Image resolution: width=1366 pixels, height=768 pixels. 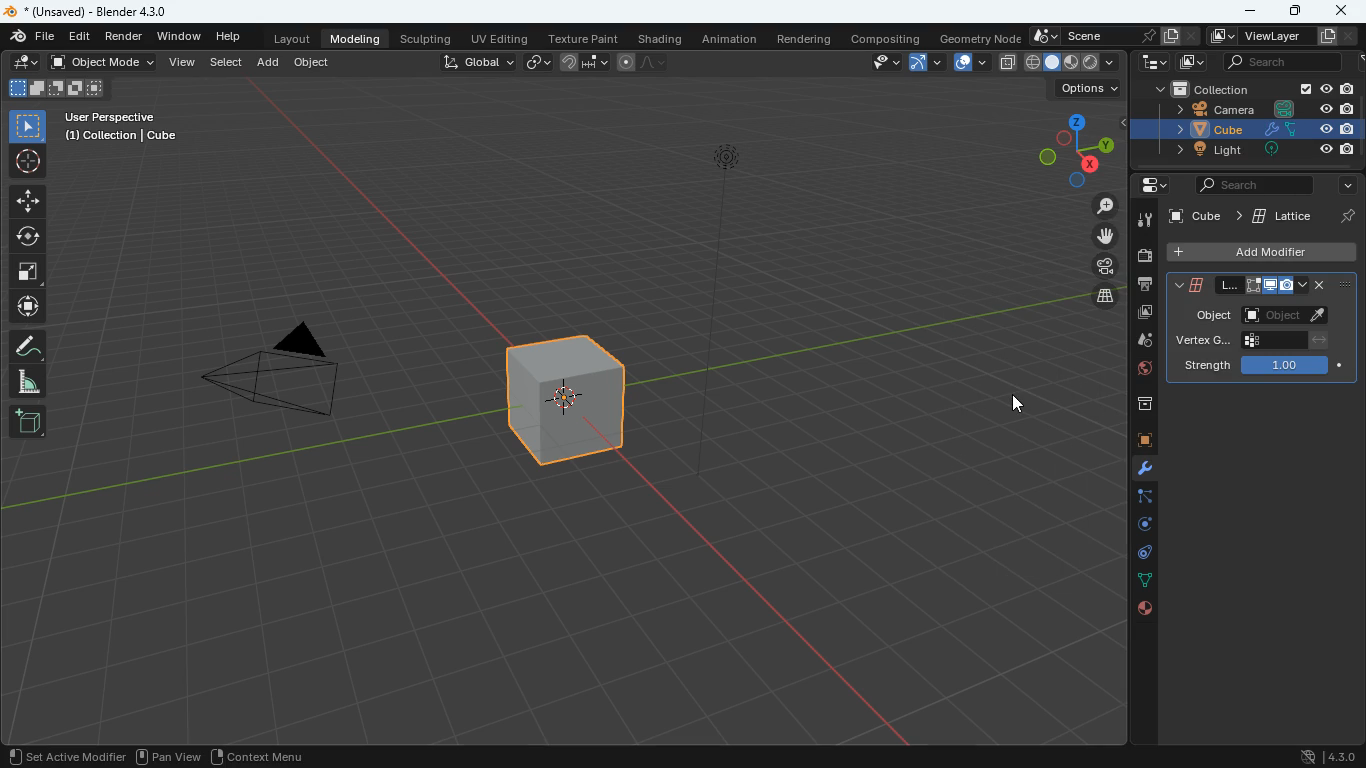 What do you see at coordinates (24, 61) in the screenshot?
I see `edit` at bounding box center [24, 61].